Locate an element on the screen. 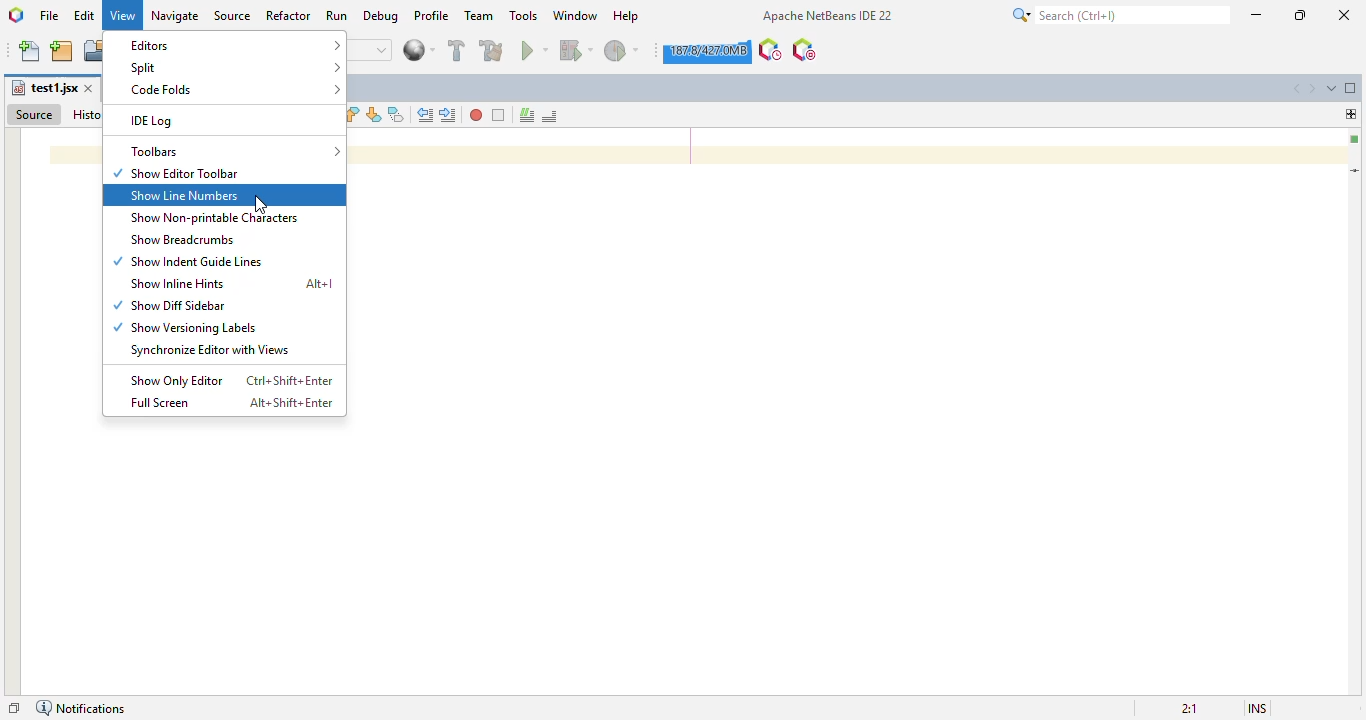 The height and width of the screenshot is (720, 1366). show non-printable characters is located at coordinates (213, 218).